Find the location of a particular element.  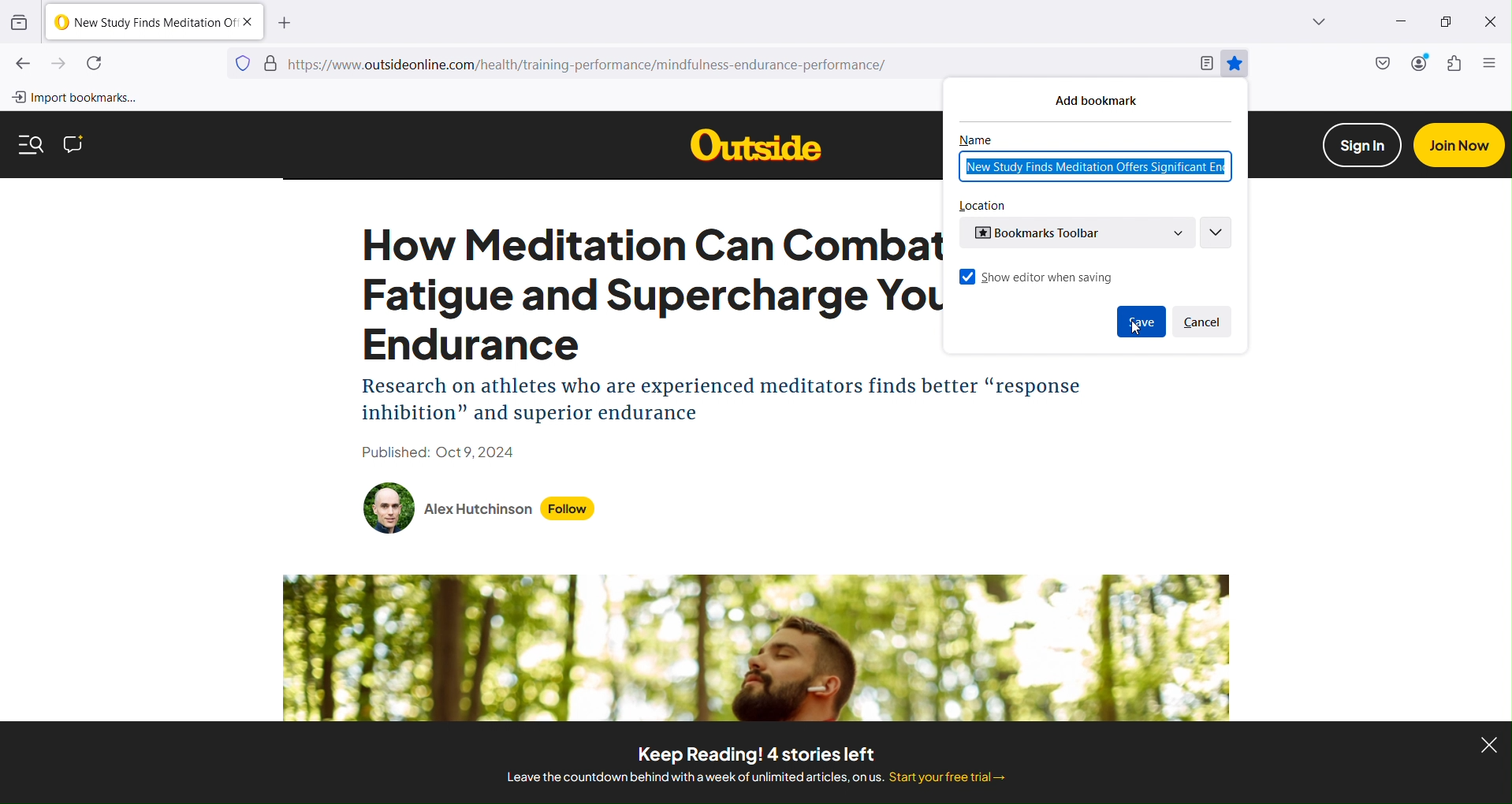

Author's image is located at coordinates (389, 508).